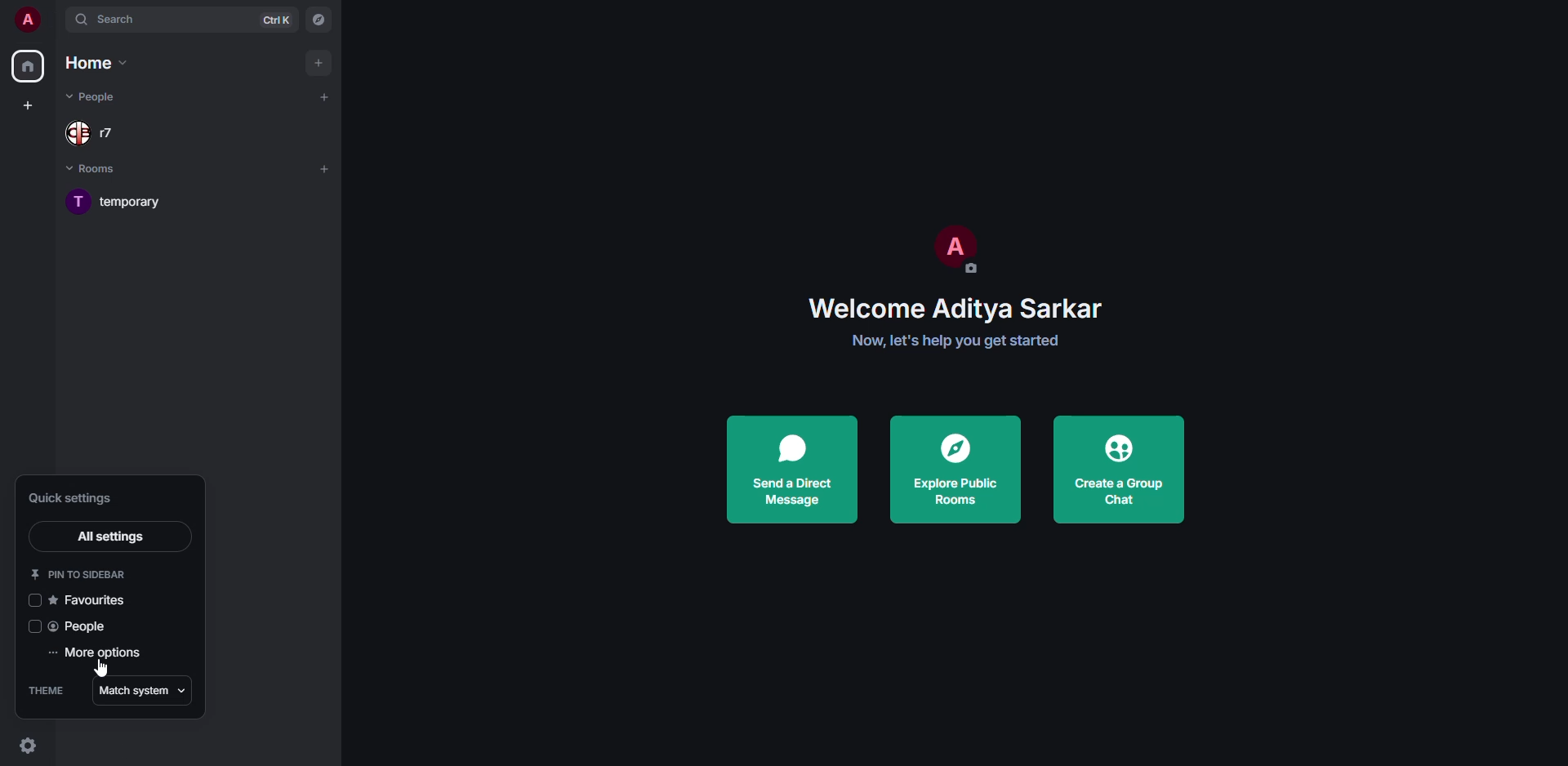 This screenshot has width=1568, height=766. Describe the element at coordinates (96, 653) in the screenshot. I see `more options` at that location.